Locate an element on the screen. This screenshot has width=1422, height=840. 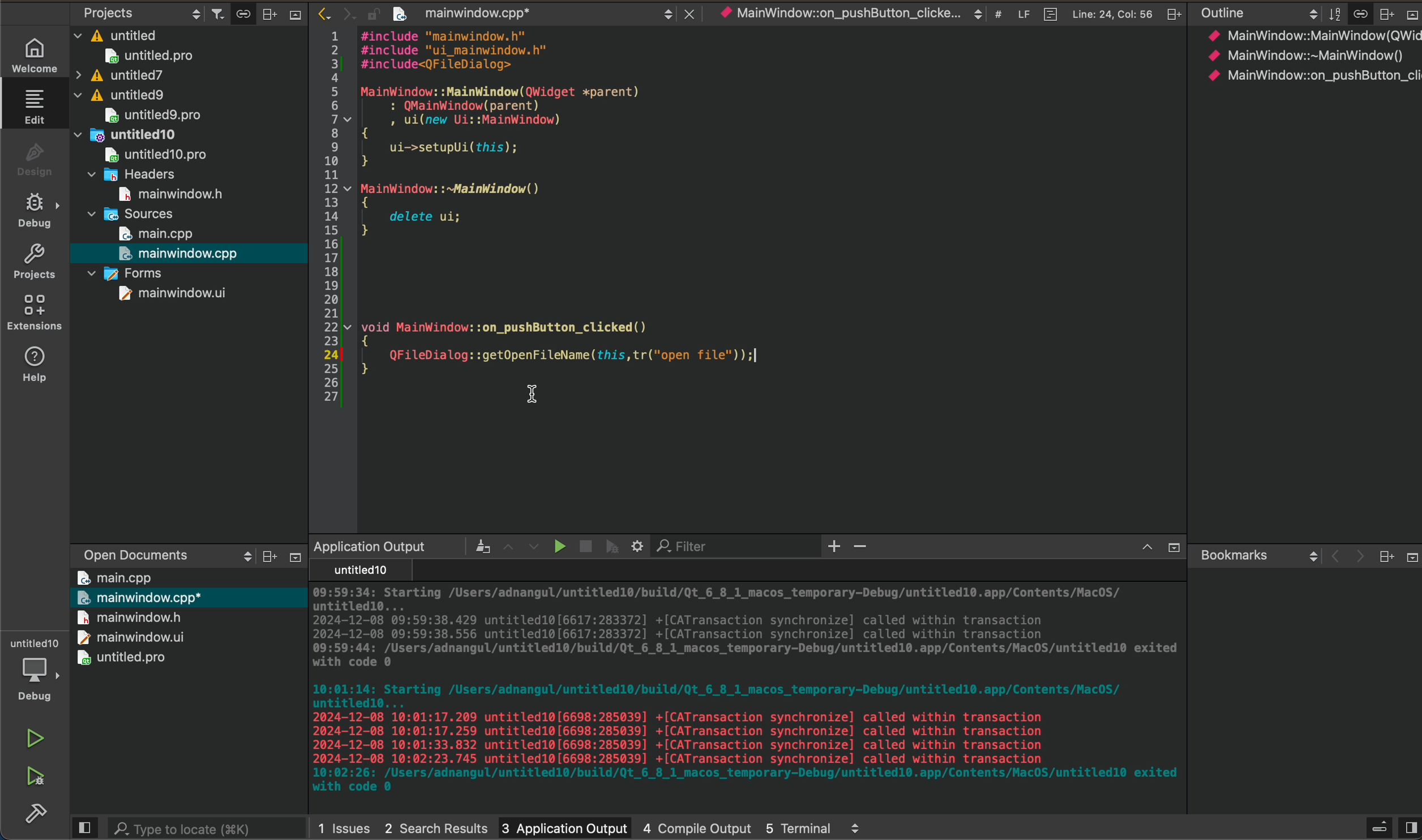
Headers is located at coordinates (135, 173).